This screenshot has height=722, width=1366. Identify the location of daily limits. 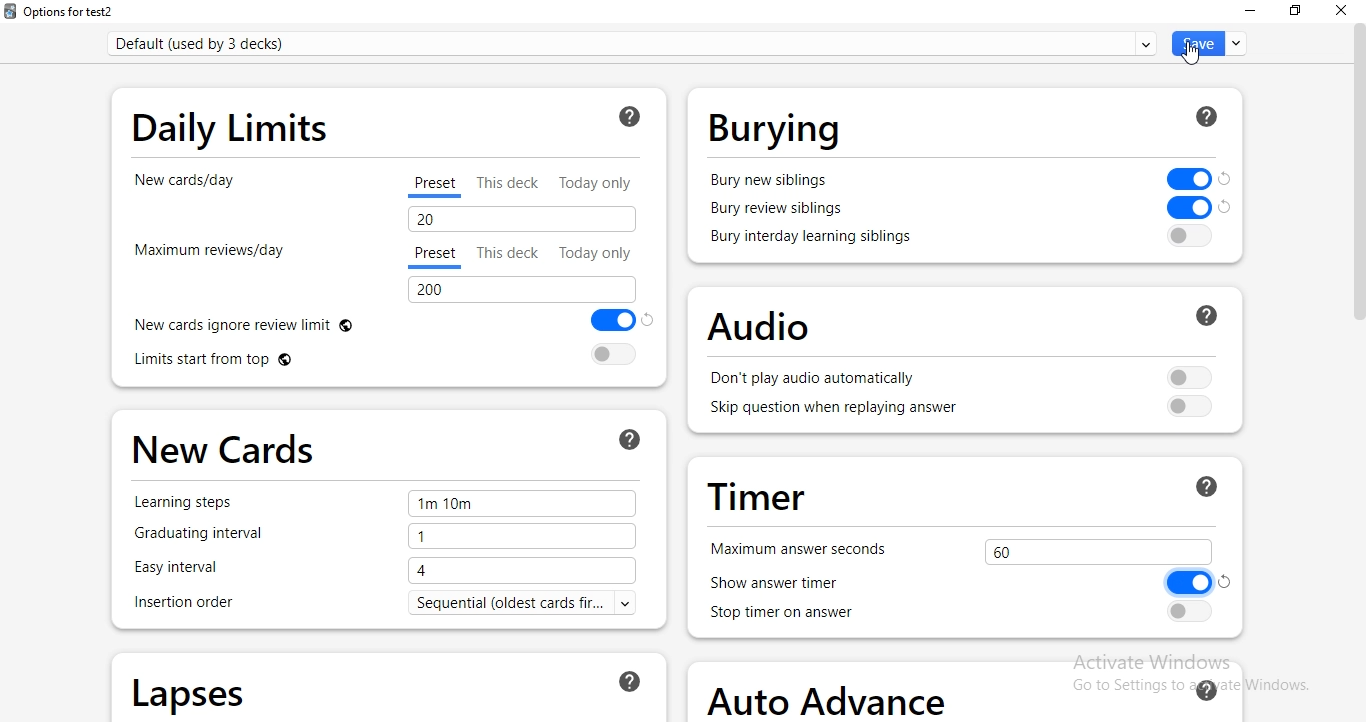
(389, 125).